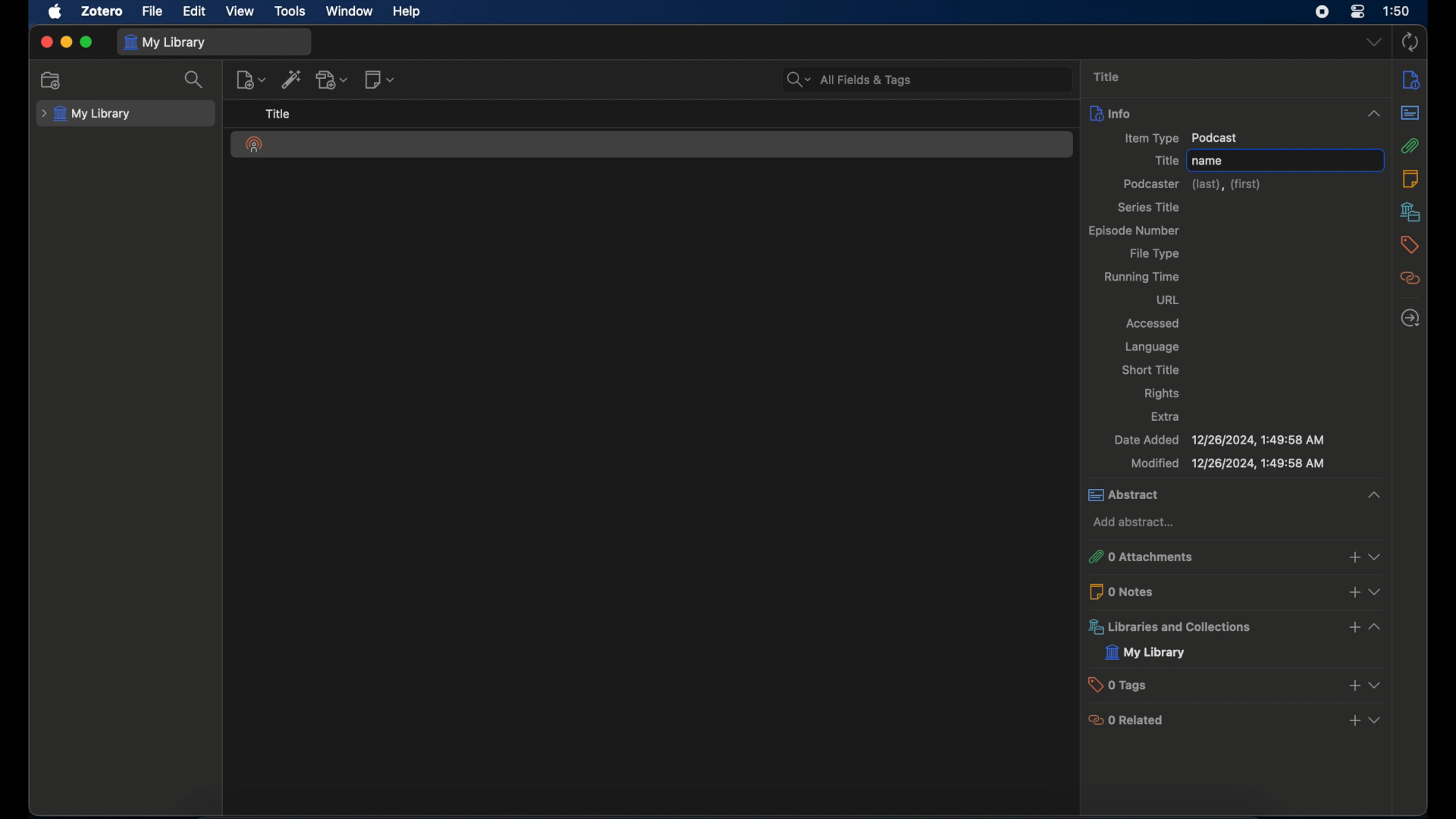 The height and width of the screenshot is (819, 1456). I want to click on add attachment, so click(332, 79).